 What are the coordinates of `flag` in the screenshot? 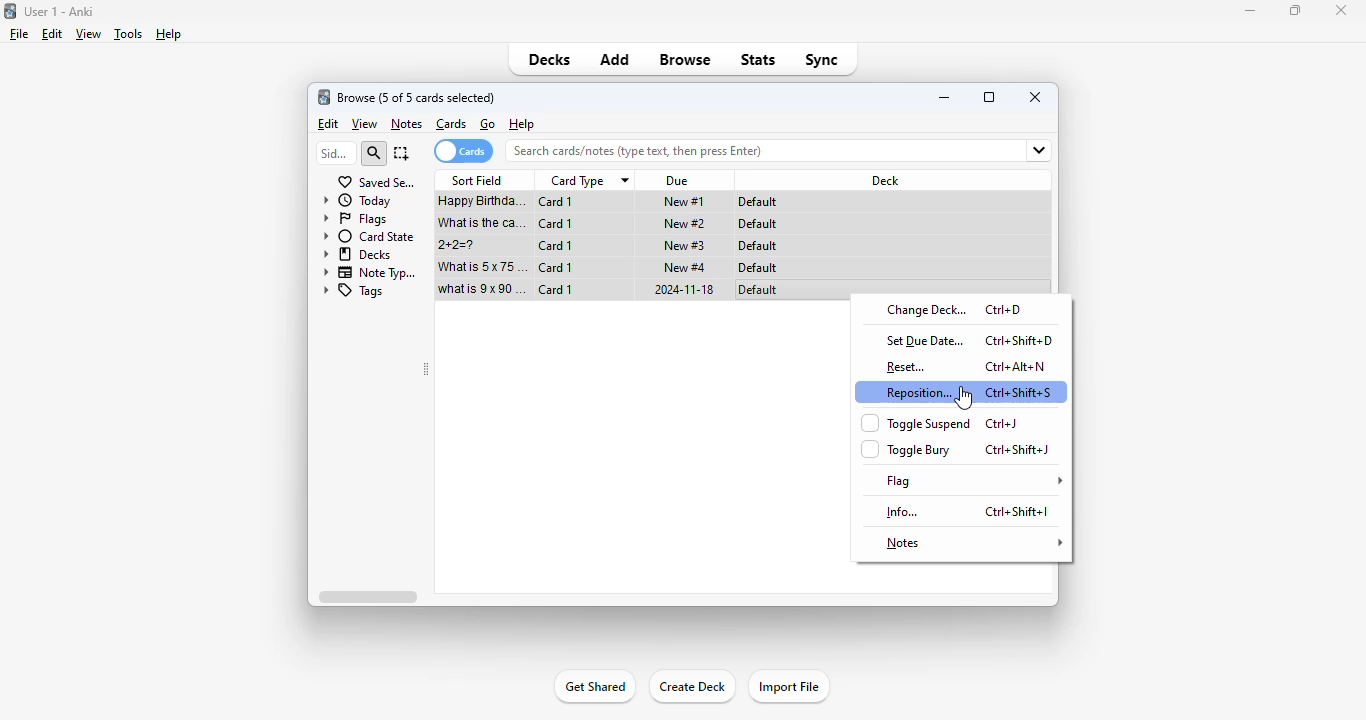 It's located at (972, 481).